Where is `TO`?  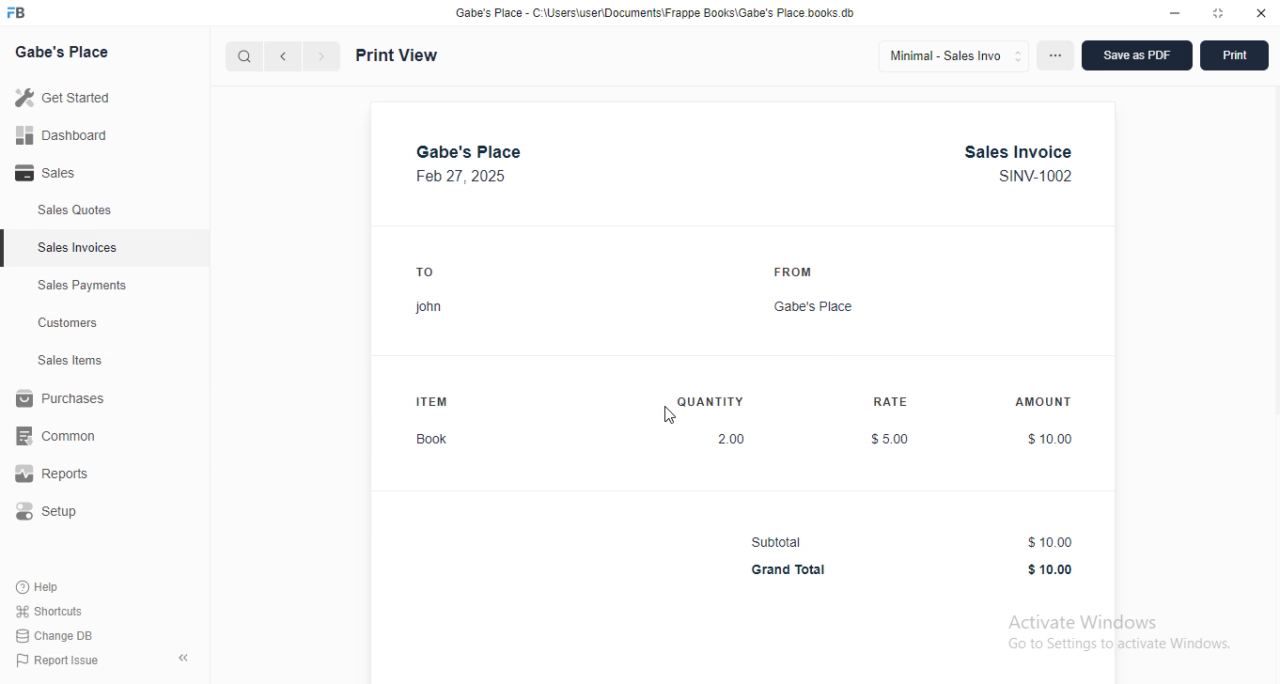
TO is located at coordinates (426, 272).